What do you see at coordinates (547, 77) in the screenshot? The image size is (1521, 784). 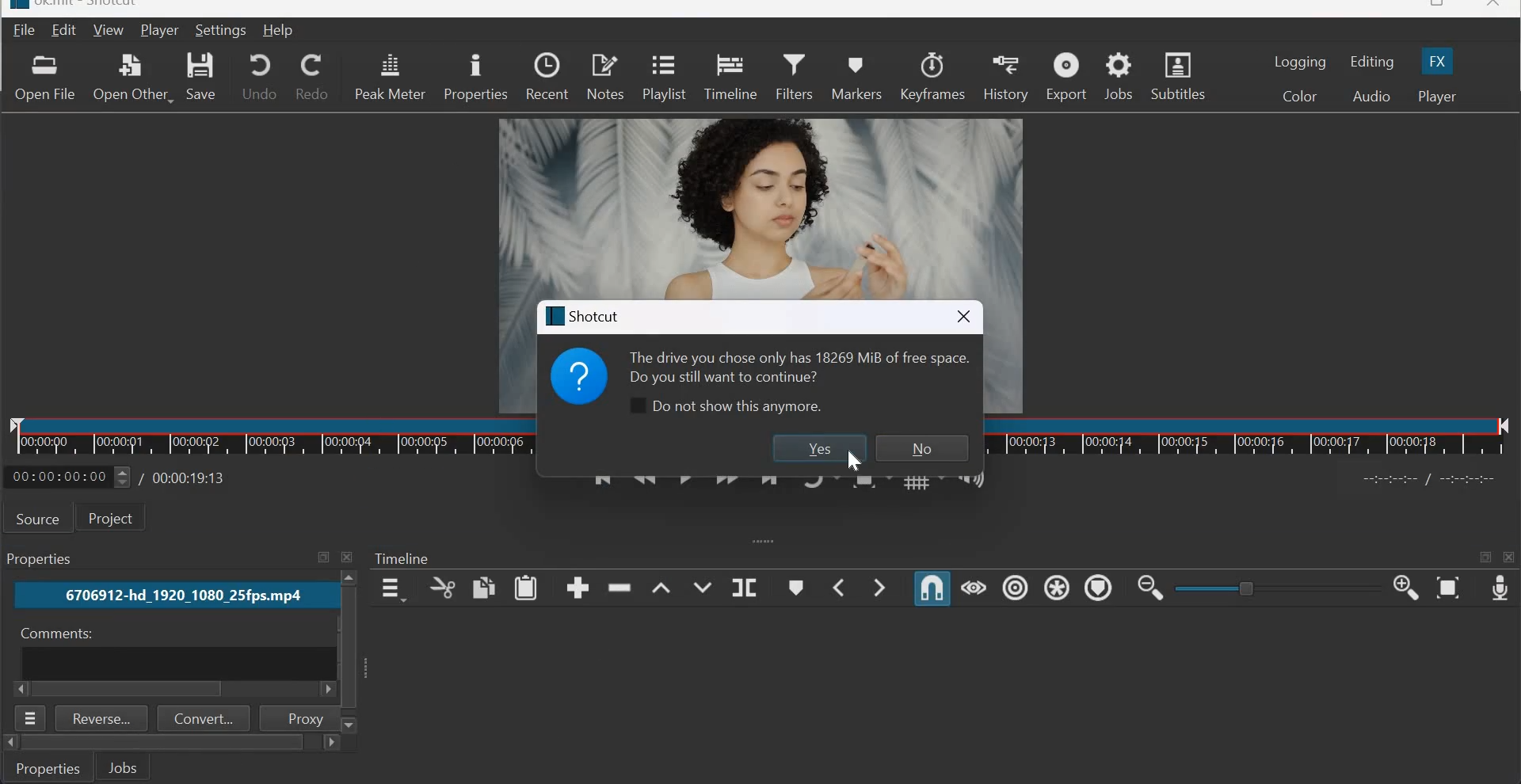 I see `Recent` at bounding box center [547, 77].